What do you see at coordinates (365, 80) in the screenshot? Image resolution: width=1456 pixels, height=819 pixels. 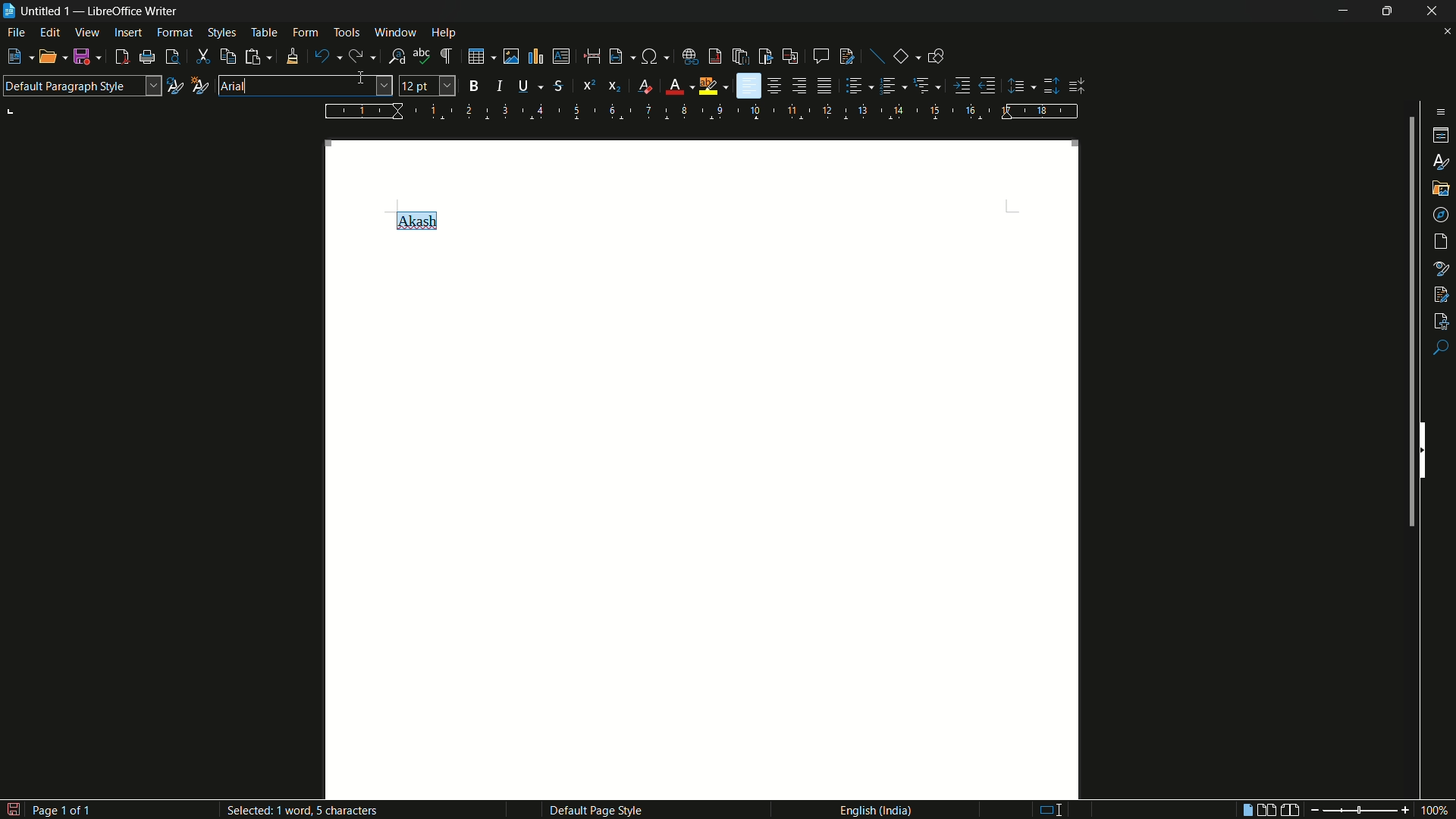 I see `cursor` at bounding box center [365, 80].